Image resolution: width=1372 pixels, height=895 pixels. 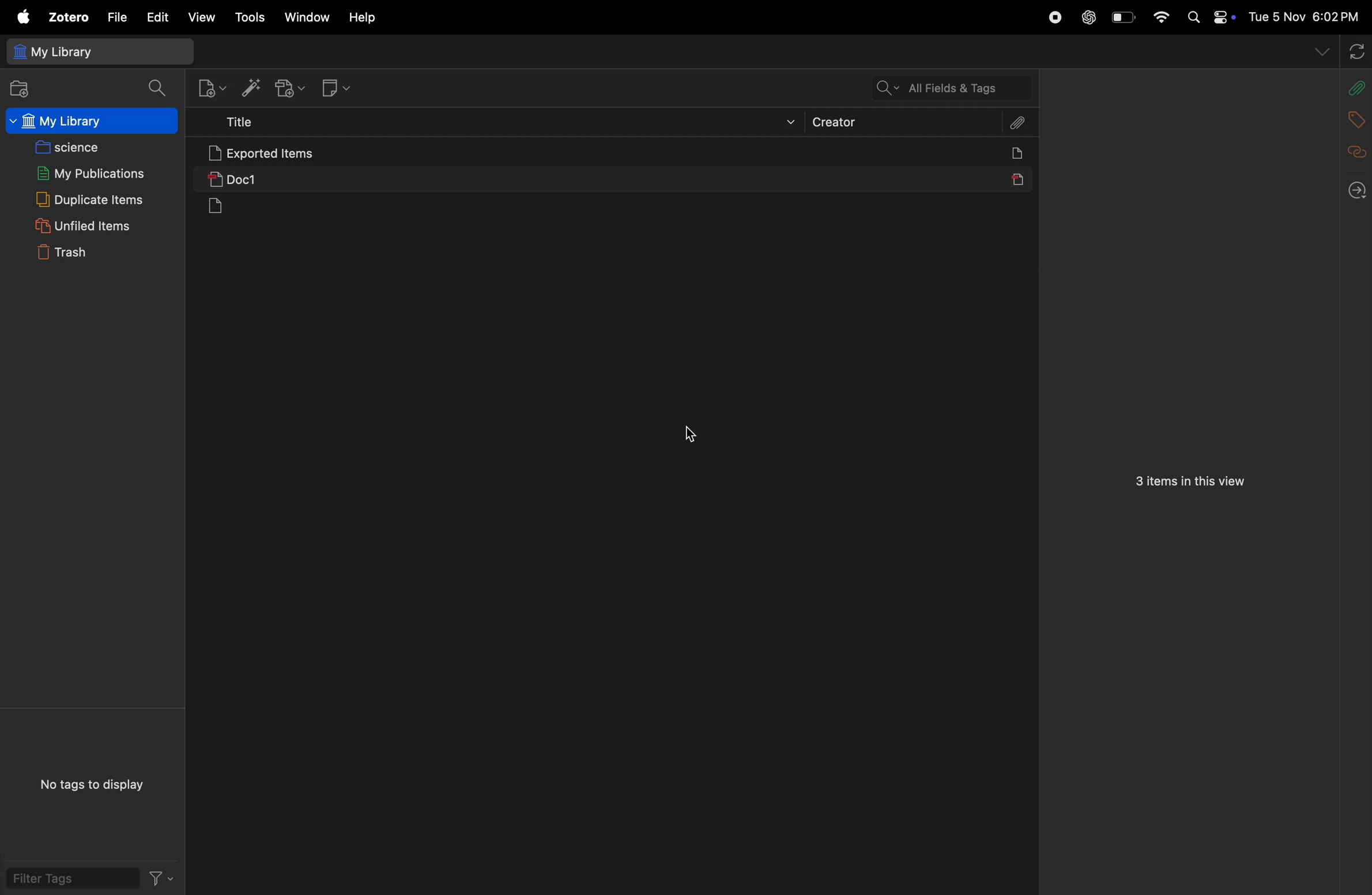 What do you see at coordinates (902, 122) in the screenshot?
I see `creator` at bounding box center [902, 122].